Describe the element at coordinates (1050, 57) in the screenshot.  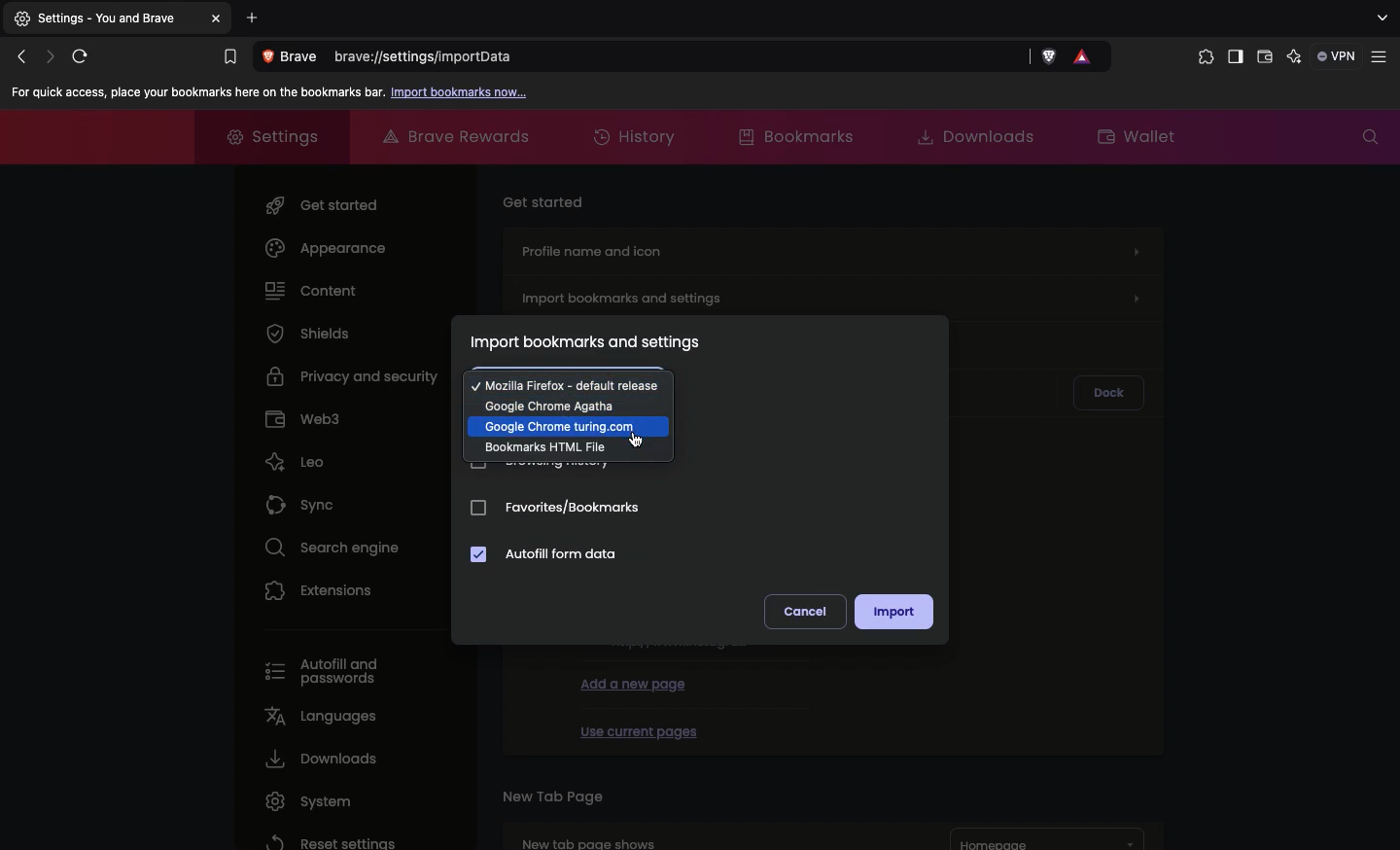
I see `Brave shields` at that location.